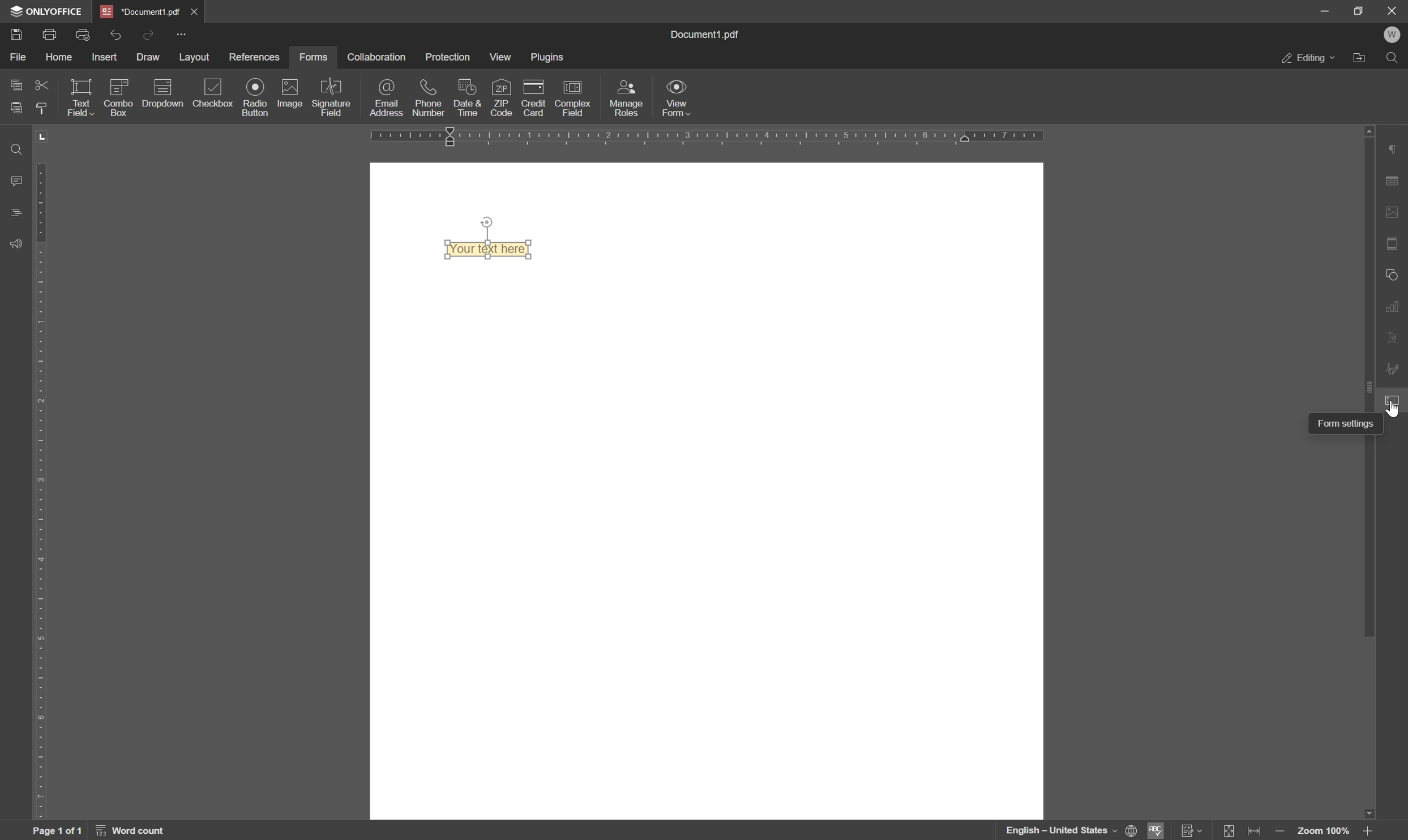 The width and height of the screenshot is (1408, 840). I want to click on save, so click(15, 35).